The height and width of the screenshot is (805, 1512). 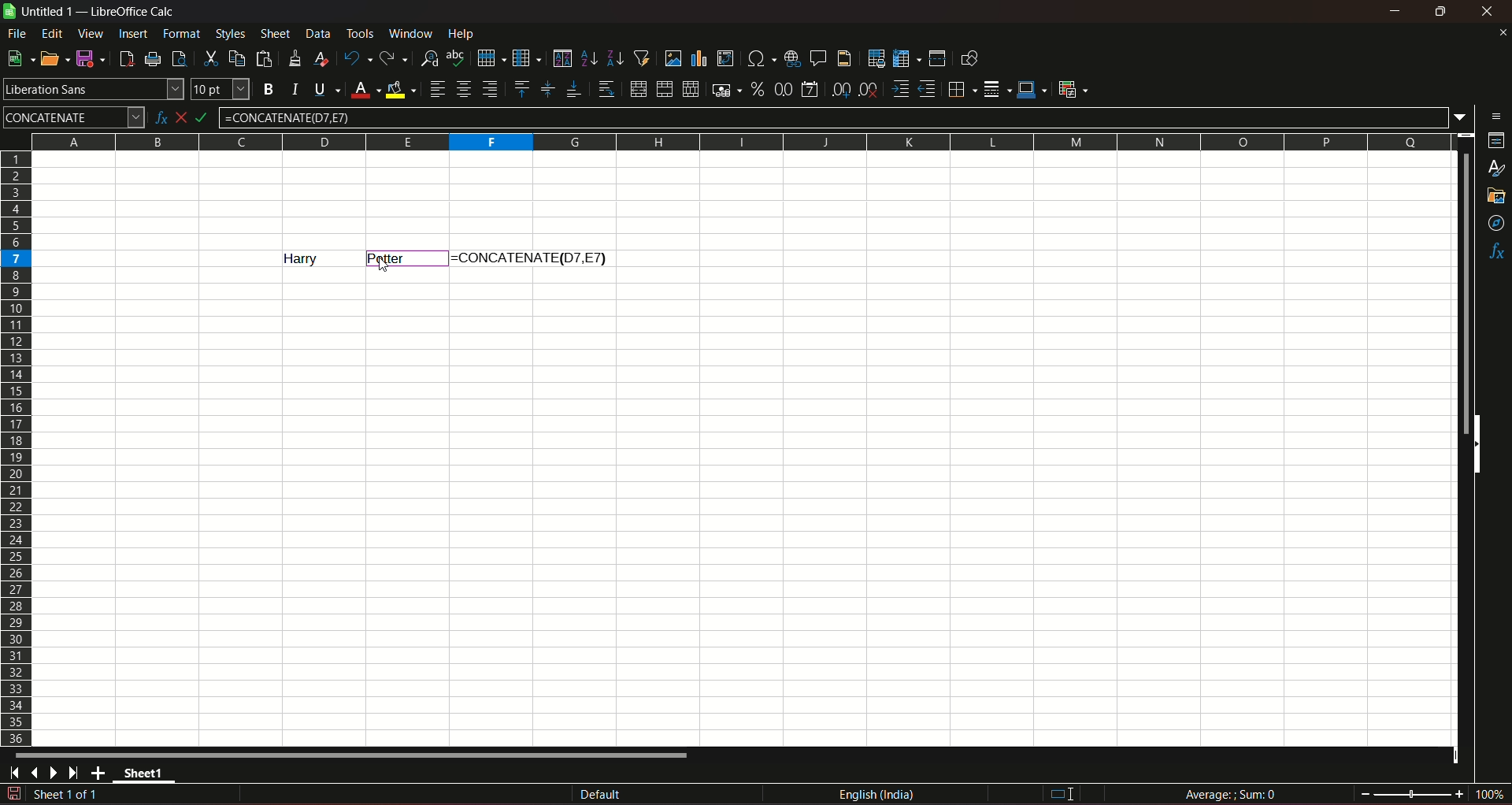 What do you see at coordinates (1032, 88) in the screenshot?
I see `border color` at bounding box center [1032, 88].